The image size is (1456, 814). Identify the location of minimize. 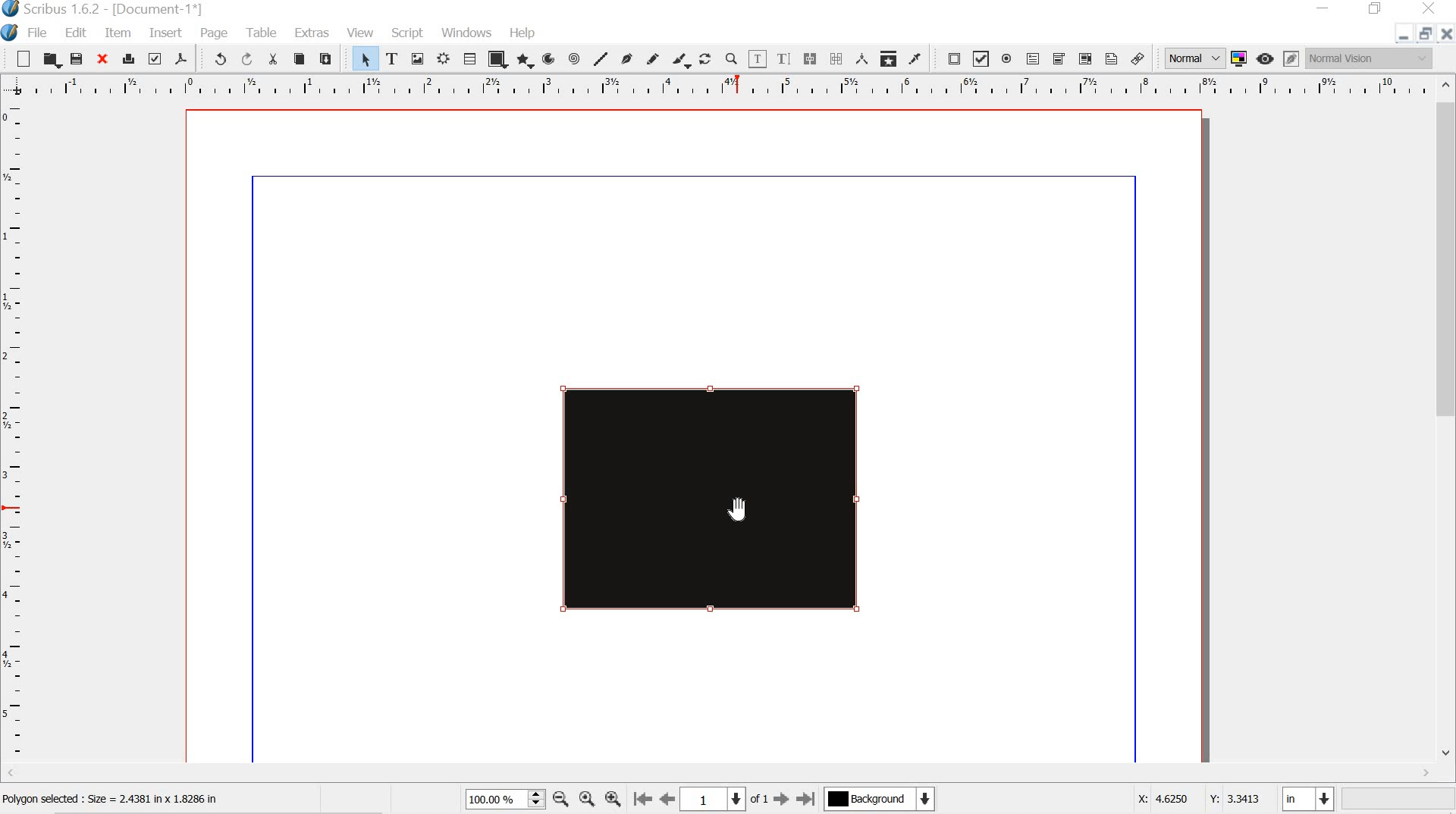
(1323, 8).